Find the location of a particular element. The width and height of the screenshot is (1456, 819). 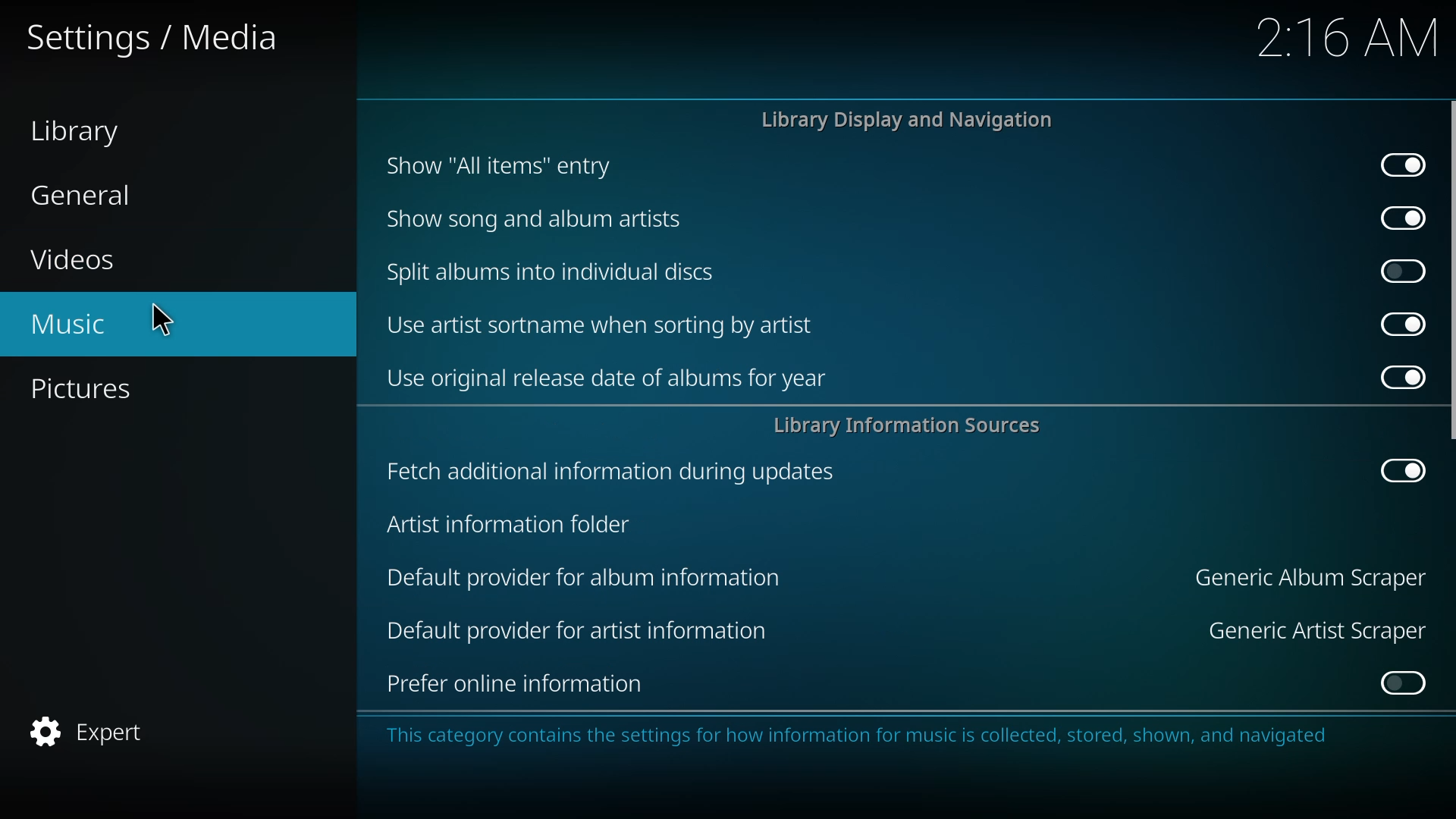

library is located at coordinates (80, 132).